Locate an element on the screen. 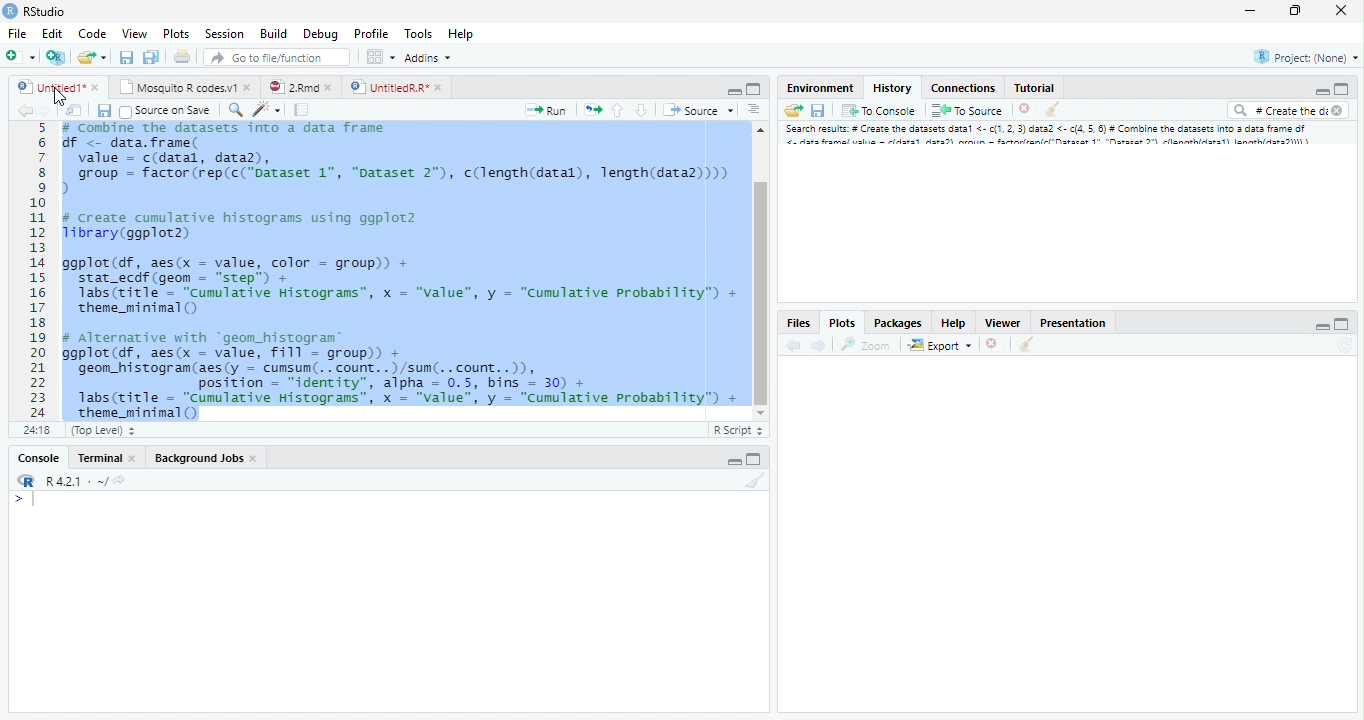 Image resolution: width=1364 pixels, height=720 pixels. back is located at coordinates (794, 347).